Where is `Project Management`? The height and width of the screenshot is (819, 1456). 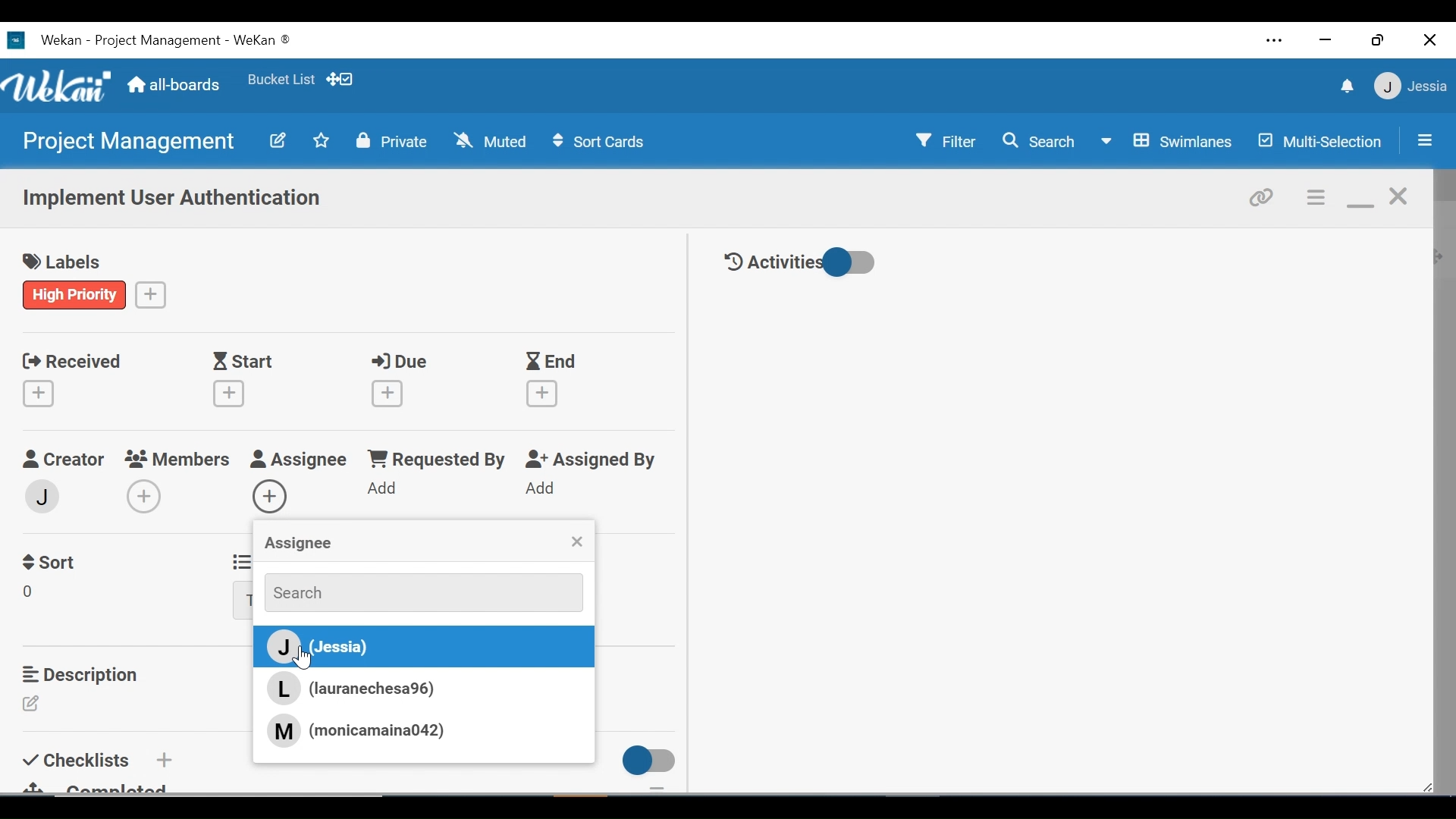
Project Management is located at coordinates (126, 142).